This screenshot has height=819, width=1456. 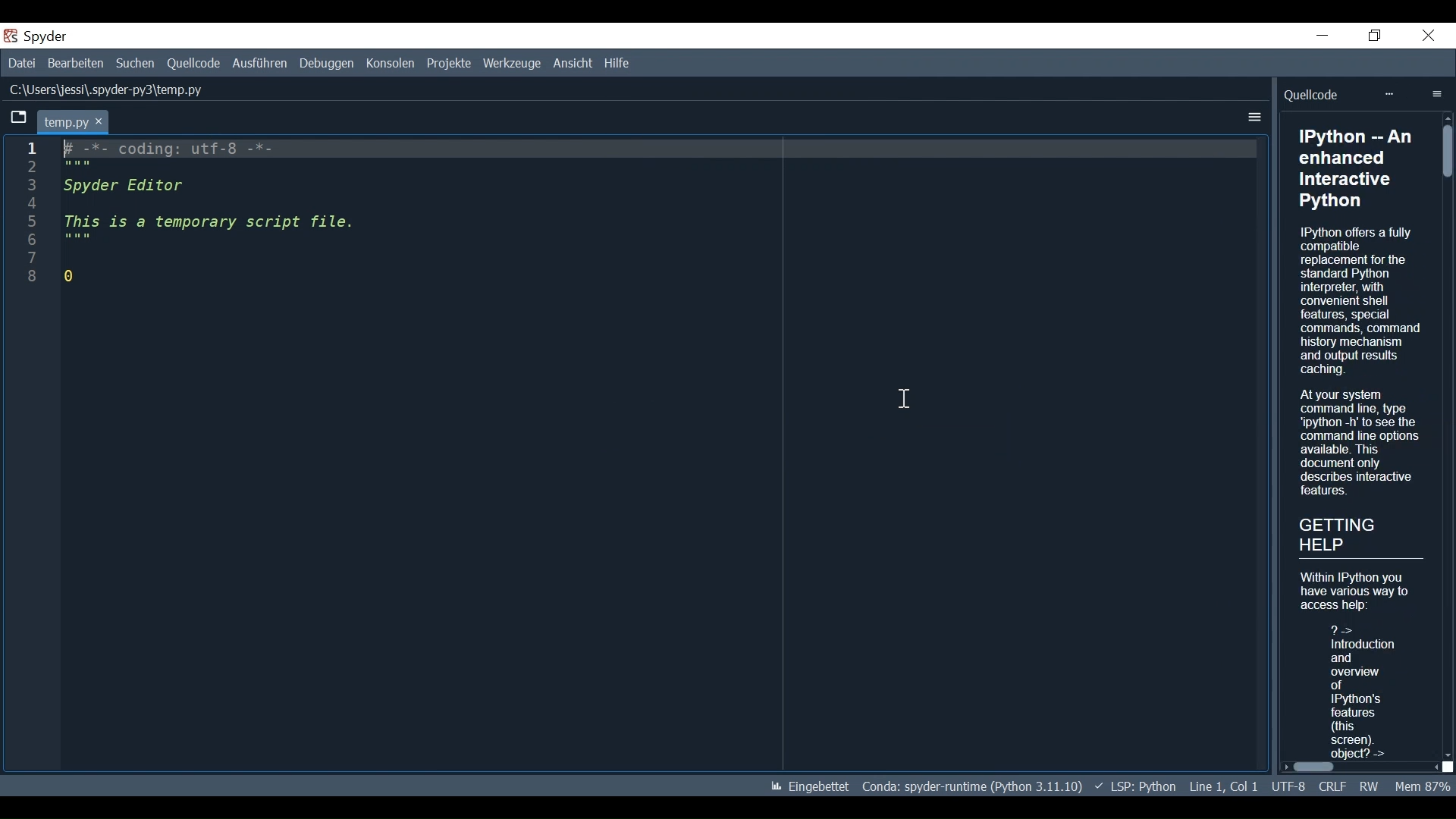 What do you see at coordinates (1289, 786) in the screenshot?
I see `UTF-8` at bounding box center [1289, 786].